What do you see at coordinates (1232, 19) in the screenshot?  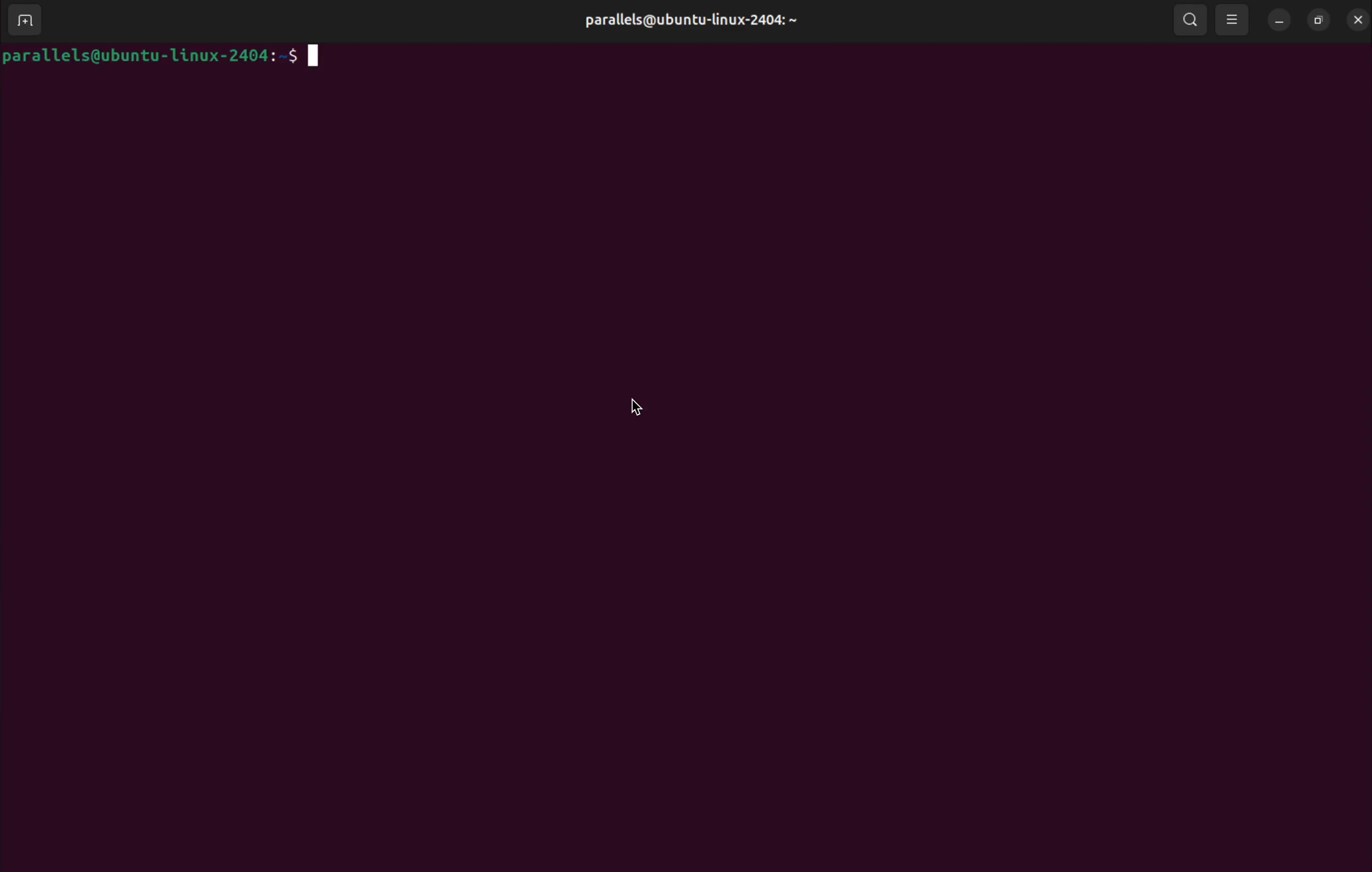 I see `view options` at bounding box center [1232, 19].